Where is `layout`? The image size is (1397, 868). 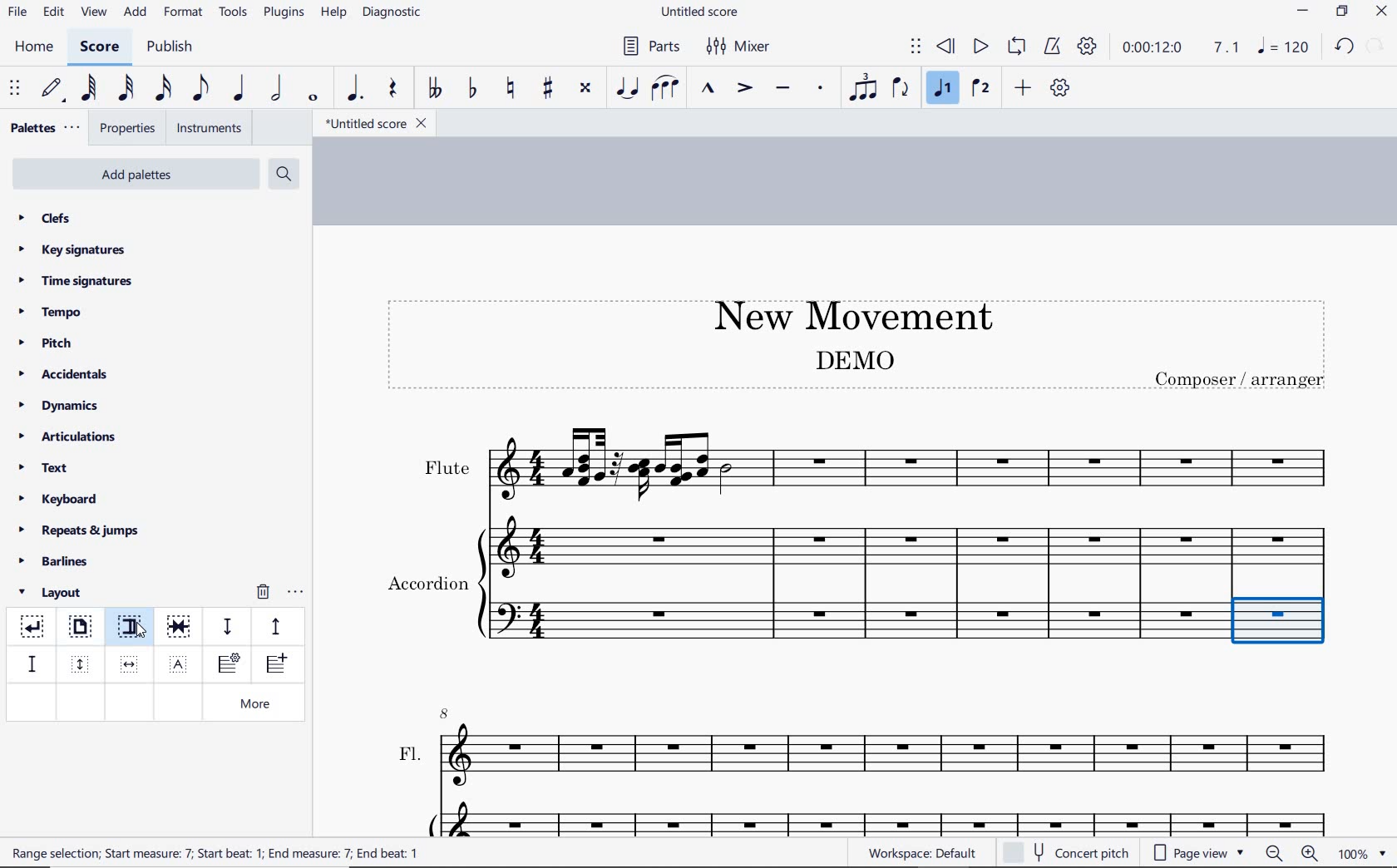 layout is located at coordinates (53, 593).